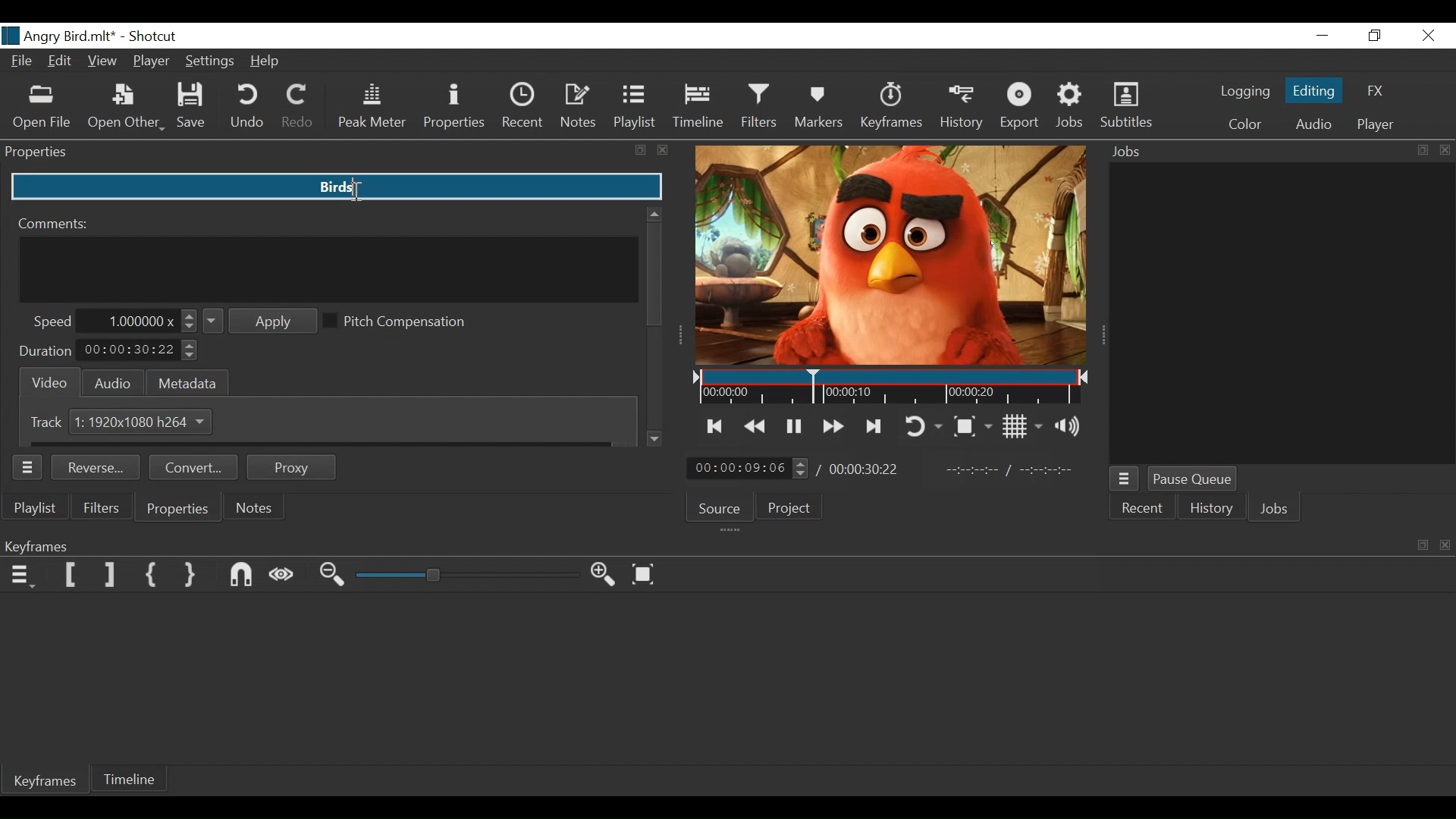  I want to click on Set Second Simple Keyframe, so click(193, 576).